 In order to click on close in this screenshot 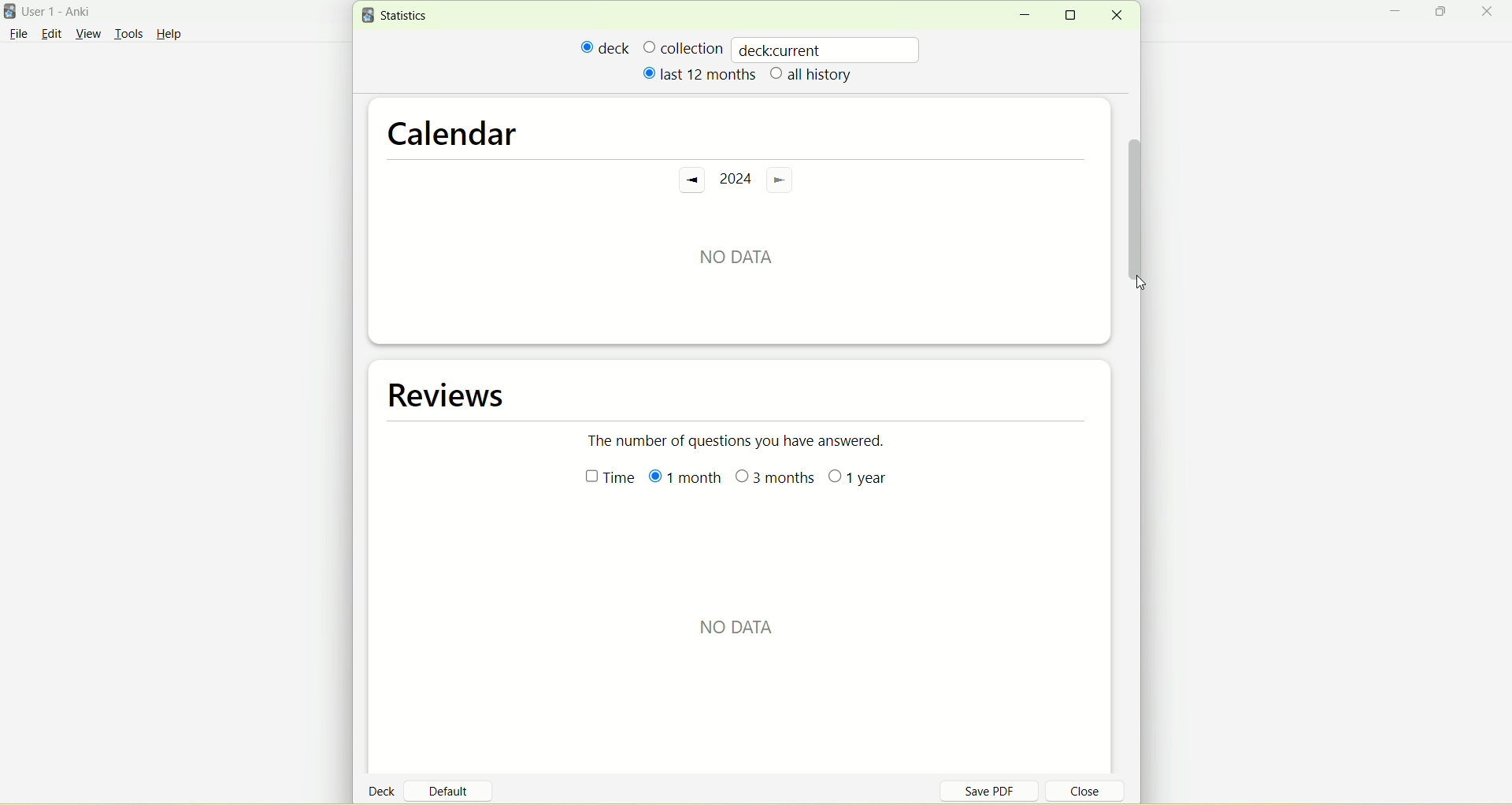, I will do `click(1076, 793)`.